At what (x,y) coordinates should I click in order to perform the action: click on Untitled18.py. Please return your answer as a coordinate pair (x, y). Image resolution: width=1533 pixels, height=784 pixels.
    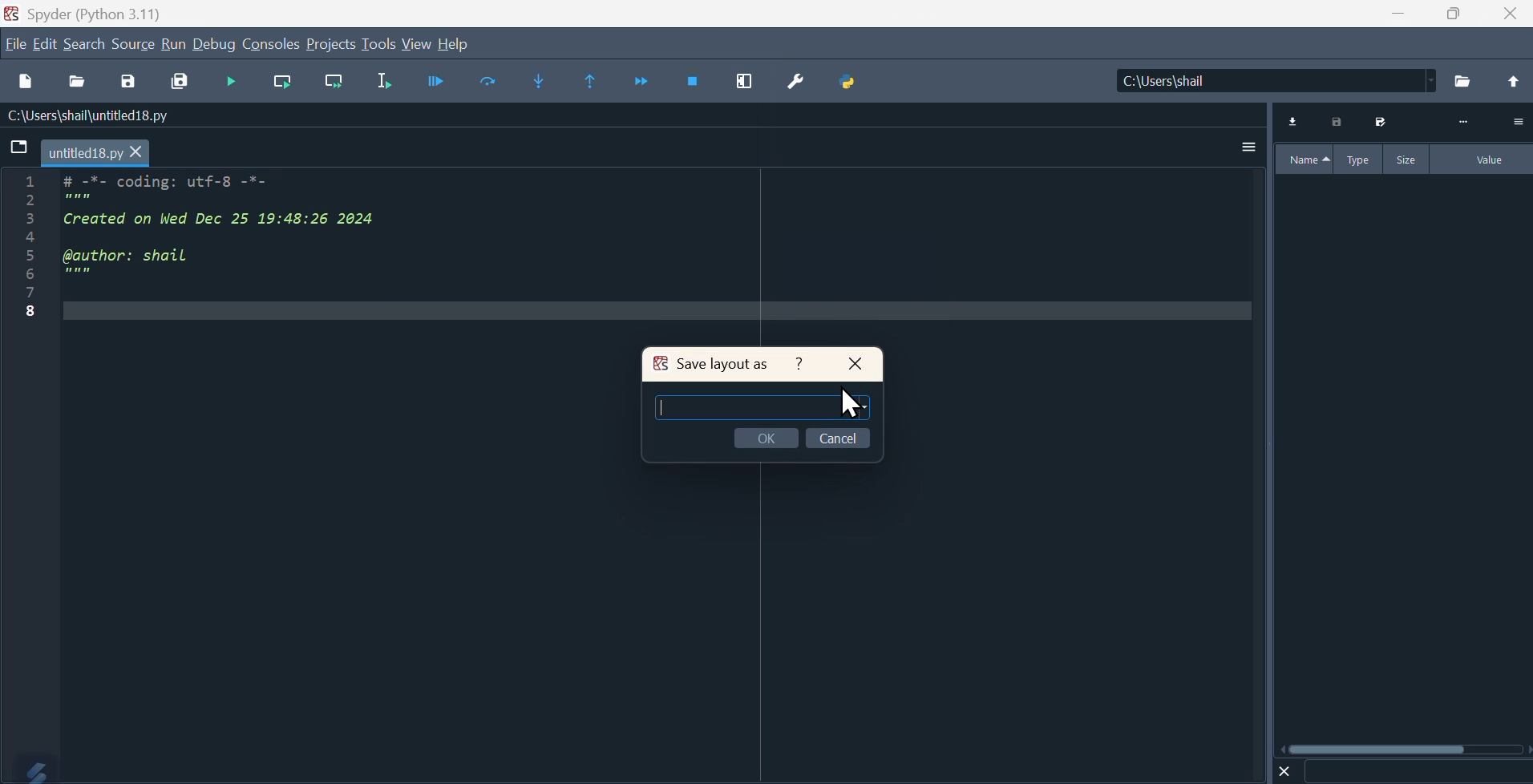
    Looking at the image, I should click on (96, 154).